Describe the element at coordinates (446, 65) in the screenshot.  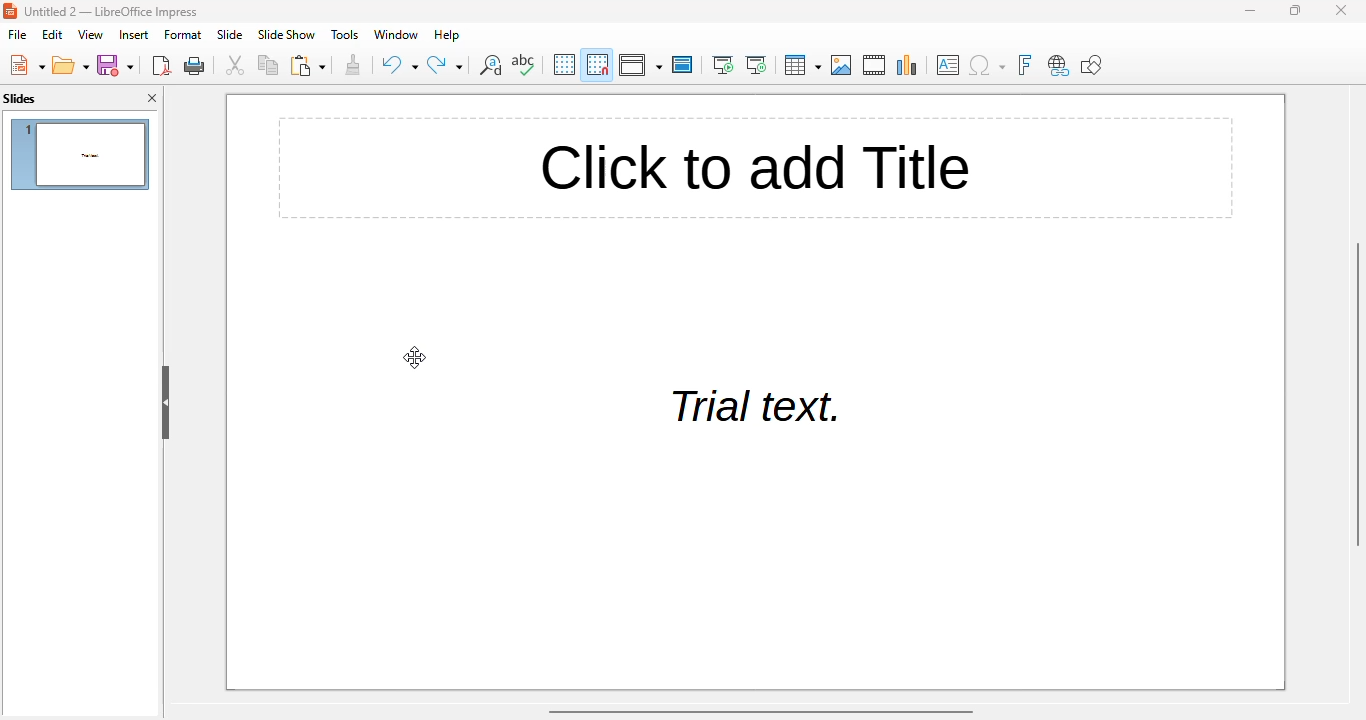
I see `redo` at that location.